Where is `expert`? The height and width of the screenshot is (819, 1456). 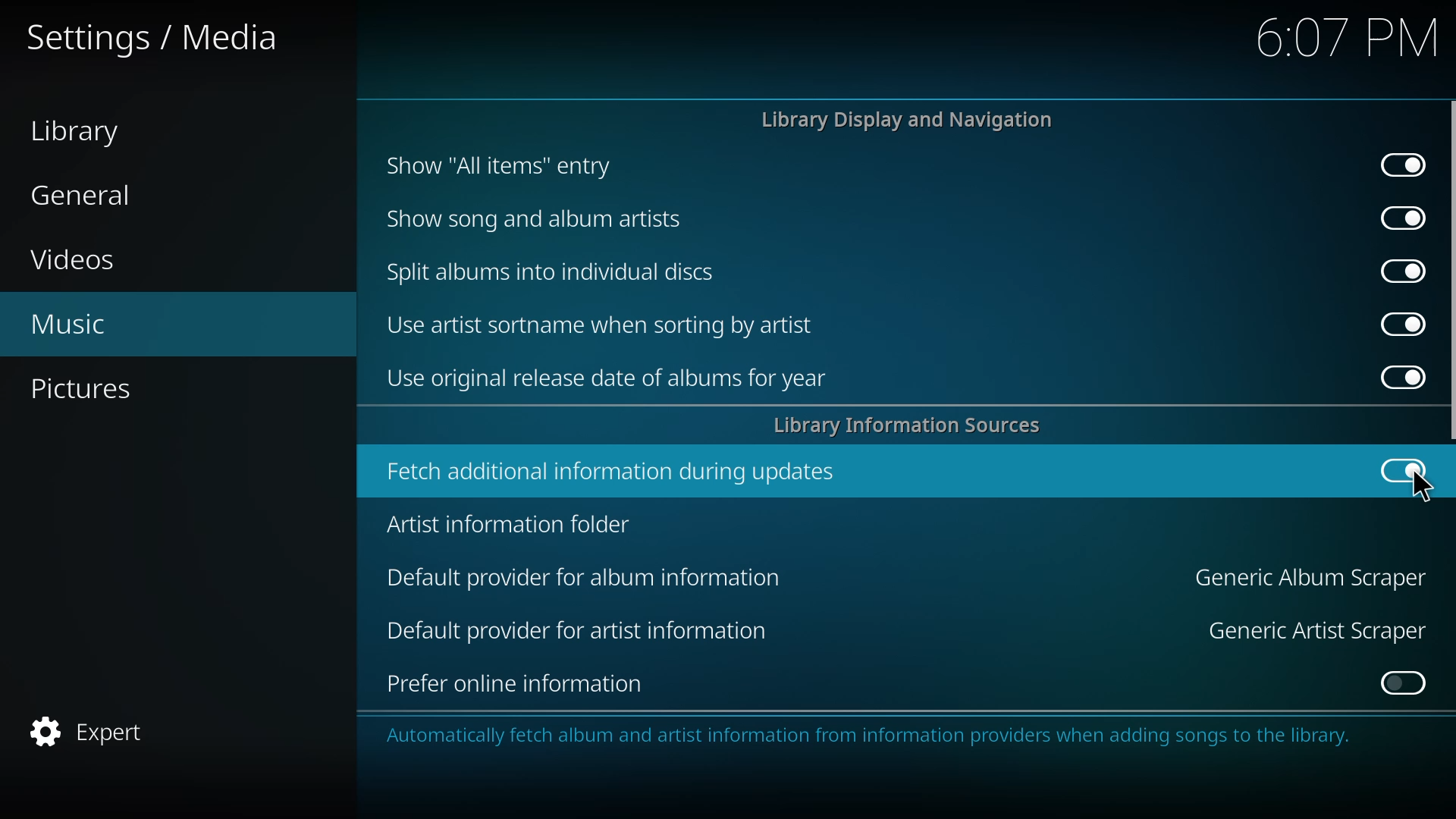 expert is located at coordinates (100, 729).